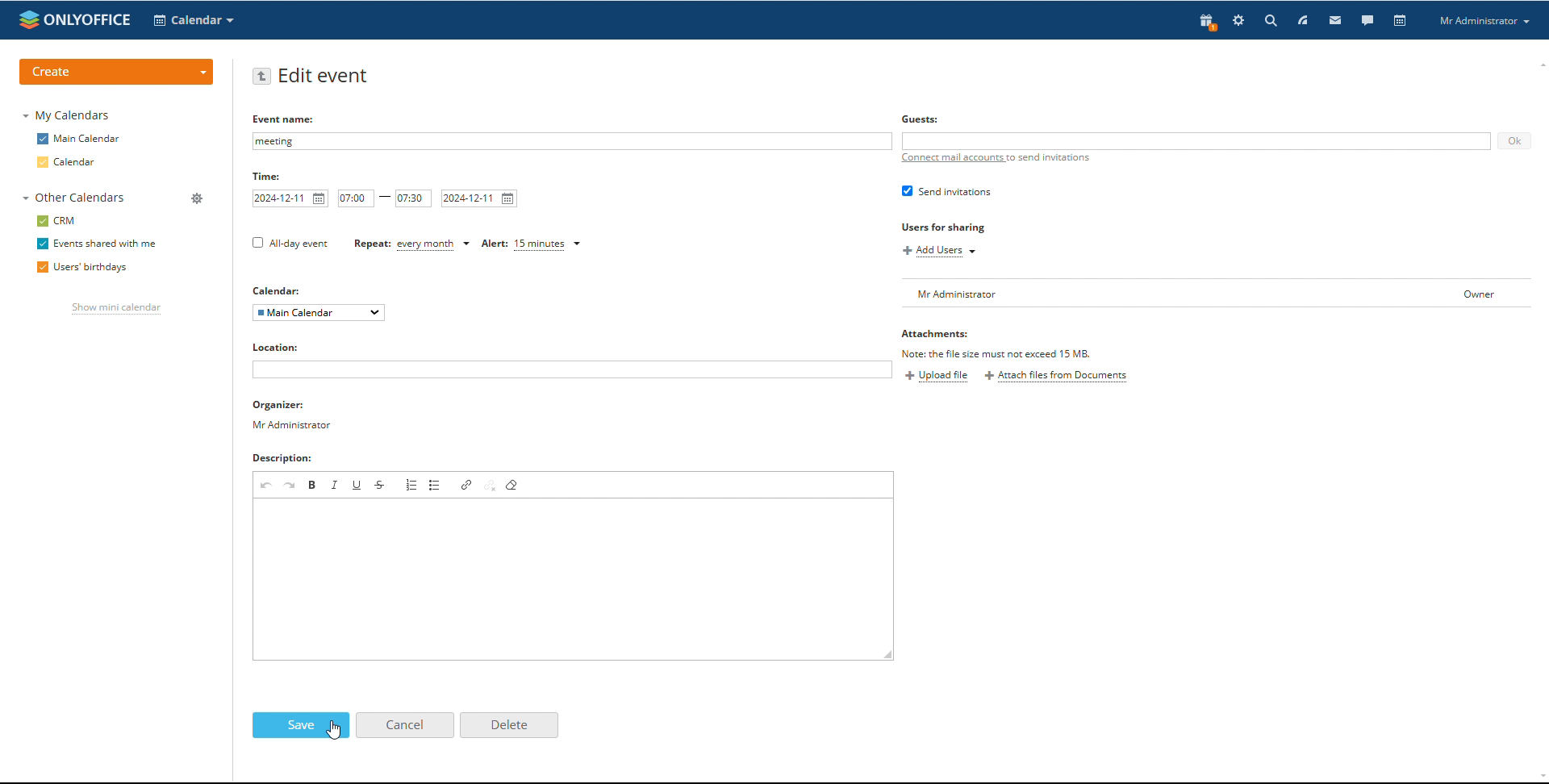  What do you see at coordinates (1514, 141) in the screenshot?
I see `ok` at bounding box center [1514, 141].